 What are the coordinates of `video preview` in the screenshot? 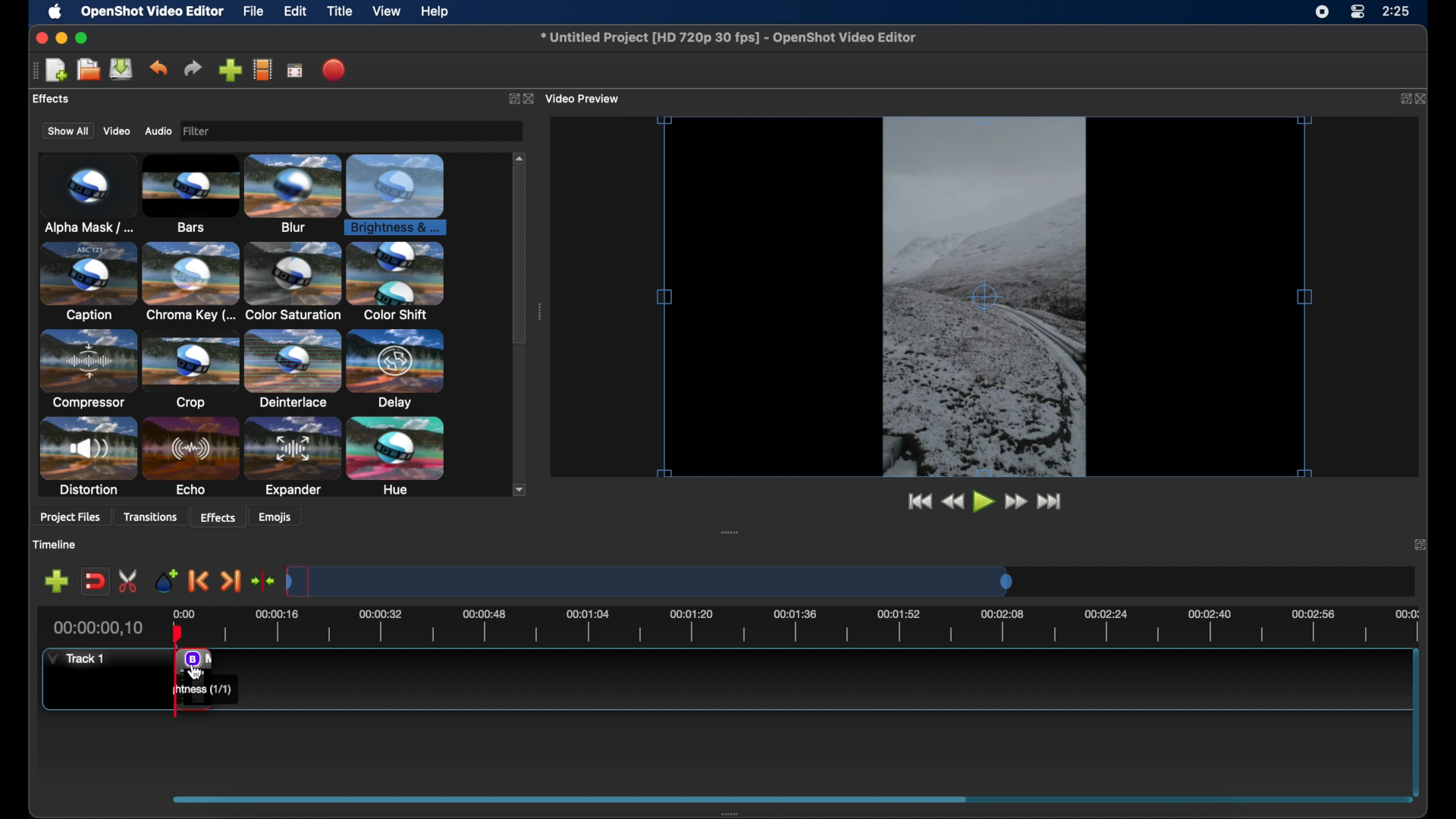 It's located at (584, 98).